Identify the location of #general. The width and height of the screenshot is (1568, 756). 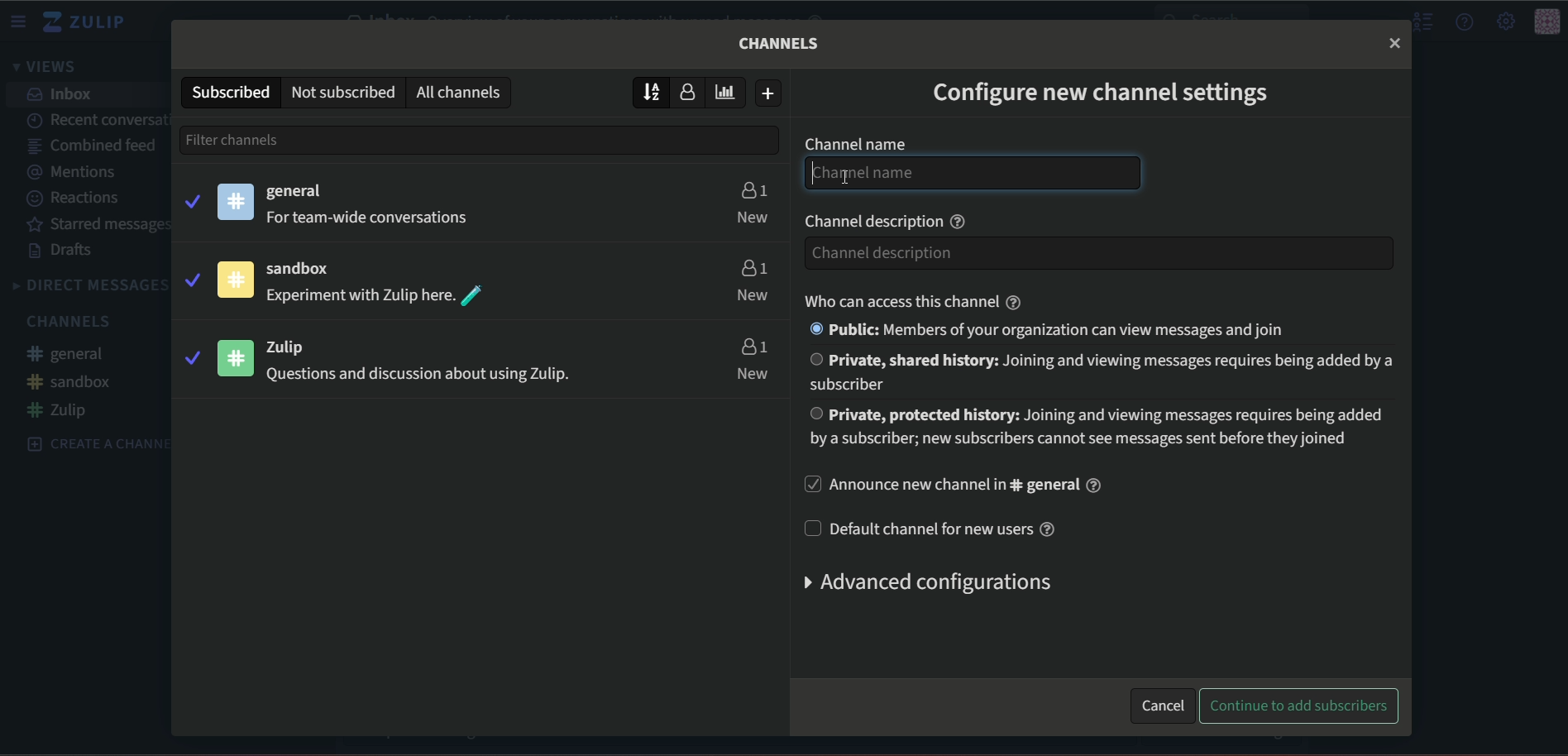
(74, 356).